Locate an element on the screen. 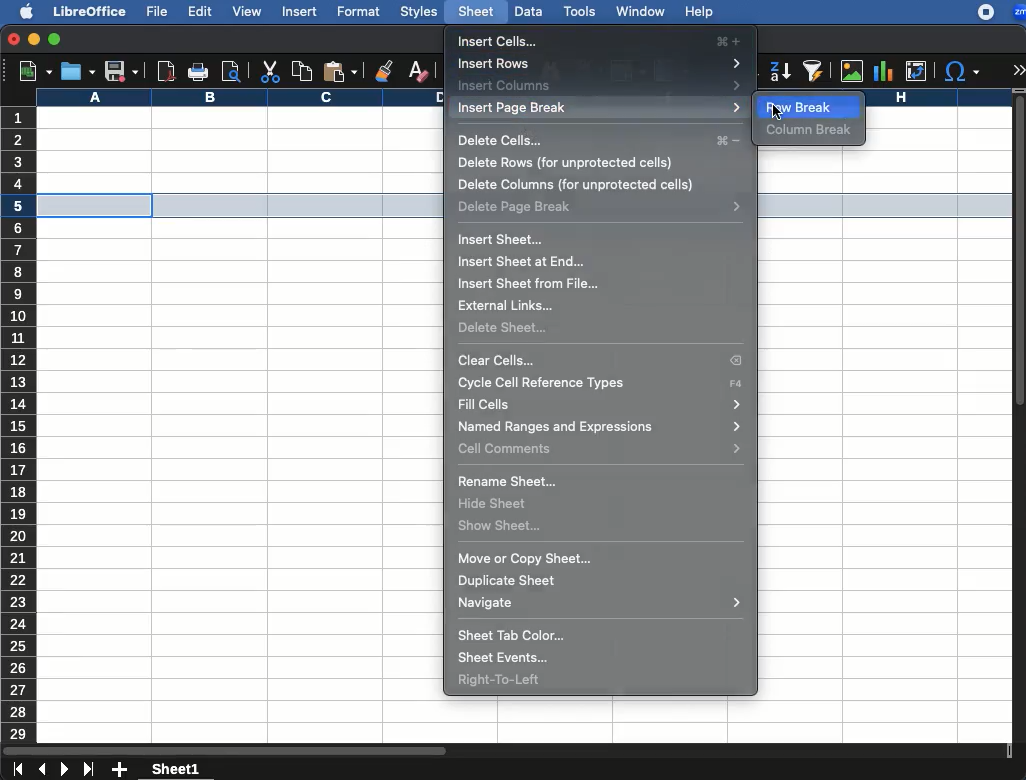  last sheet is located at coordinates (88, 771).